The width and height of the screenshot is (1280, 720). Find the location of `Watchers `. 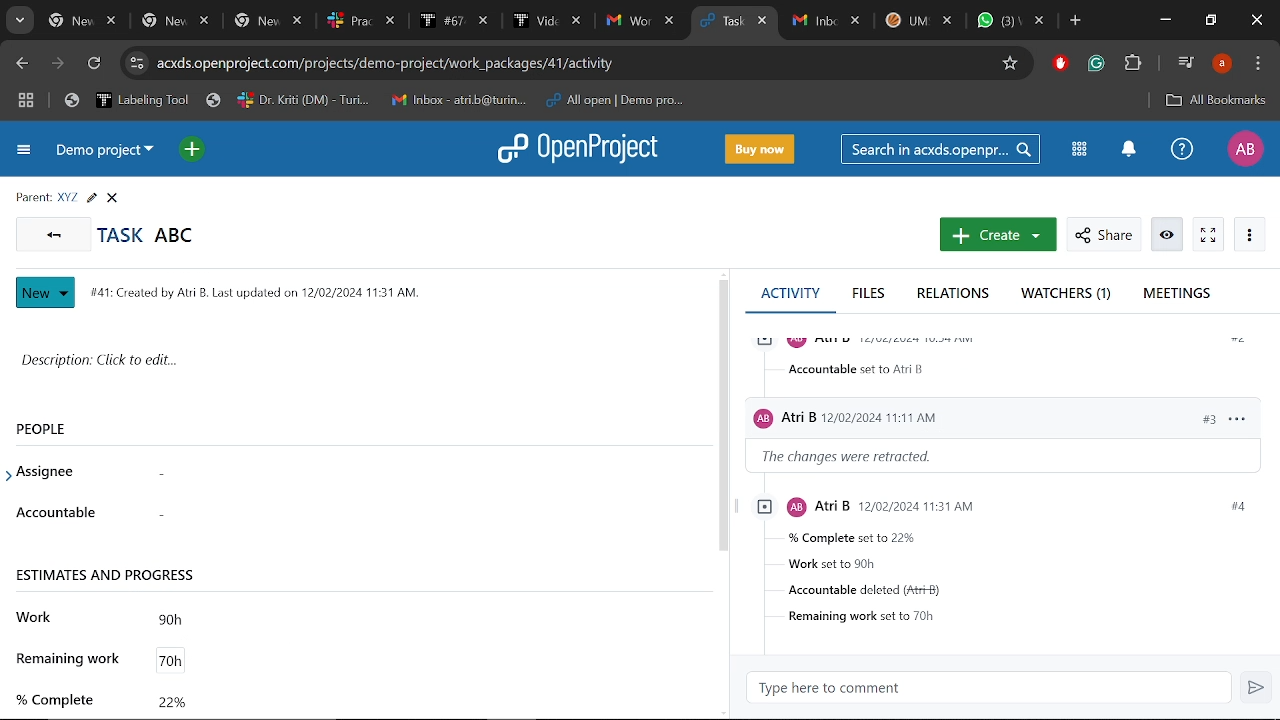

Watchers  is located at coordinates (1069, 295).